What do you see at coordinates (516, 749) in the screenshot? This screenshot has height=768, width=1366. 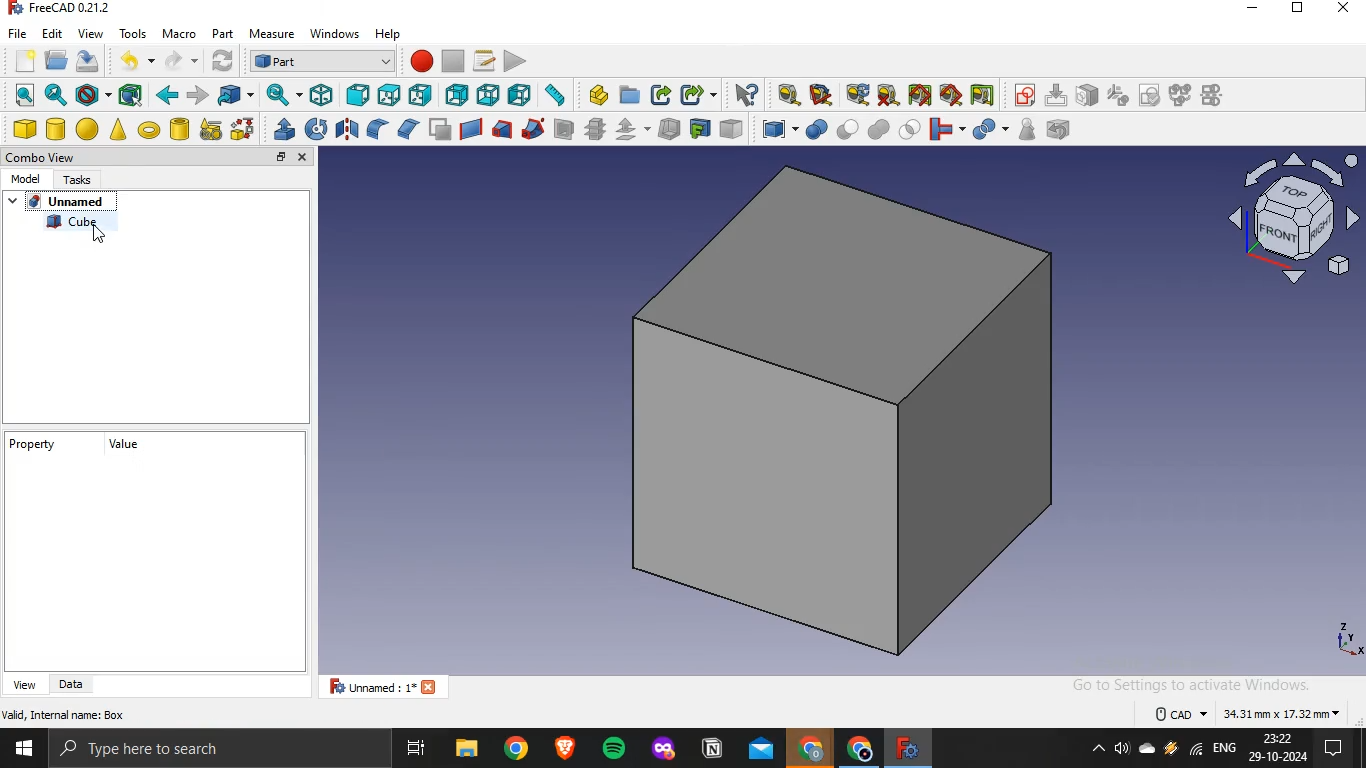 I see `google chrome` at bounding box center [516, 749].